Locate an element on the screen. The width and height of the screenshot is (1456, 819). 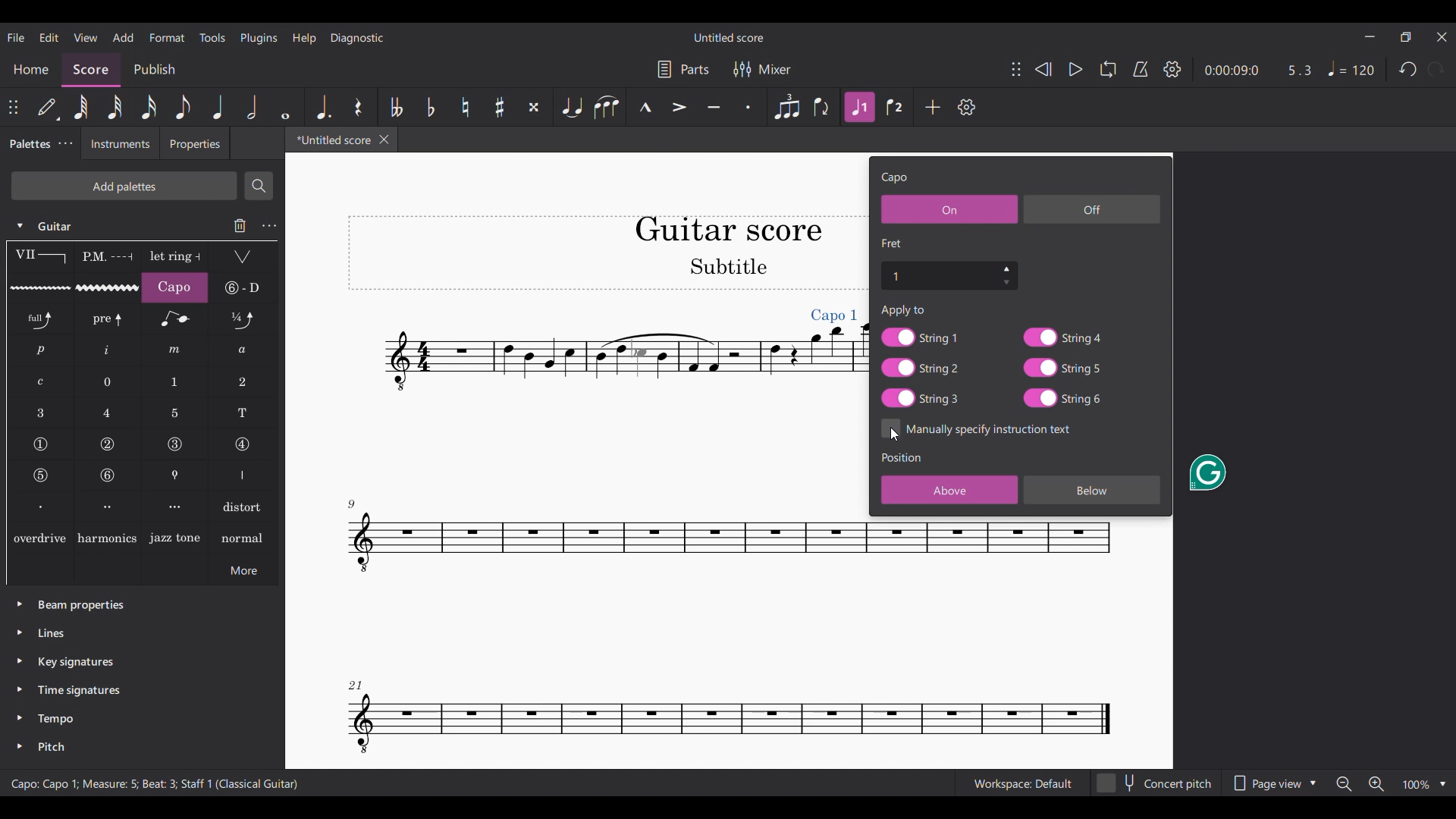
Let ring is located at coordinates (175, 257).